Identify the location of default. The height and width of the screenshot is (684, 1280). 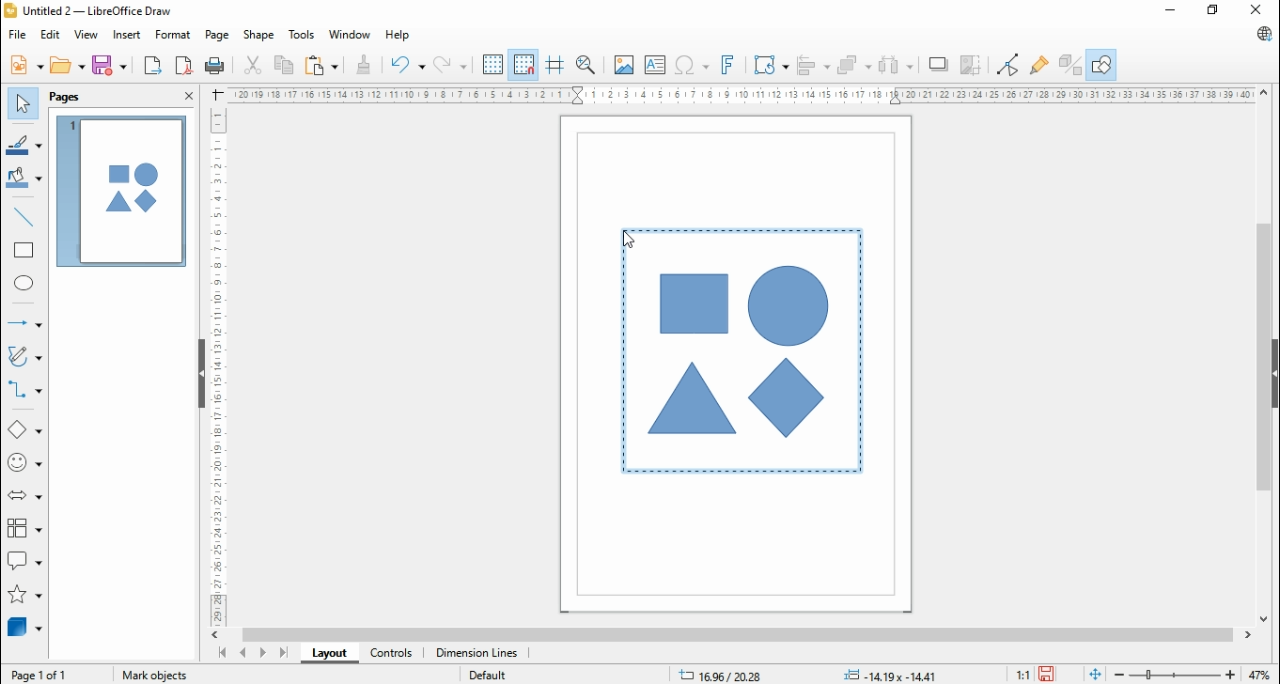
(488, 676).